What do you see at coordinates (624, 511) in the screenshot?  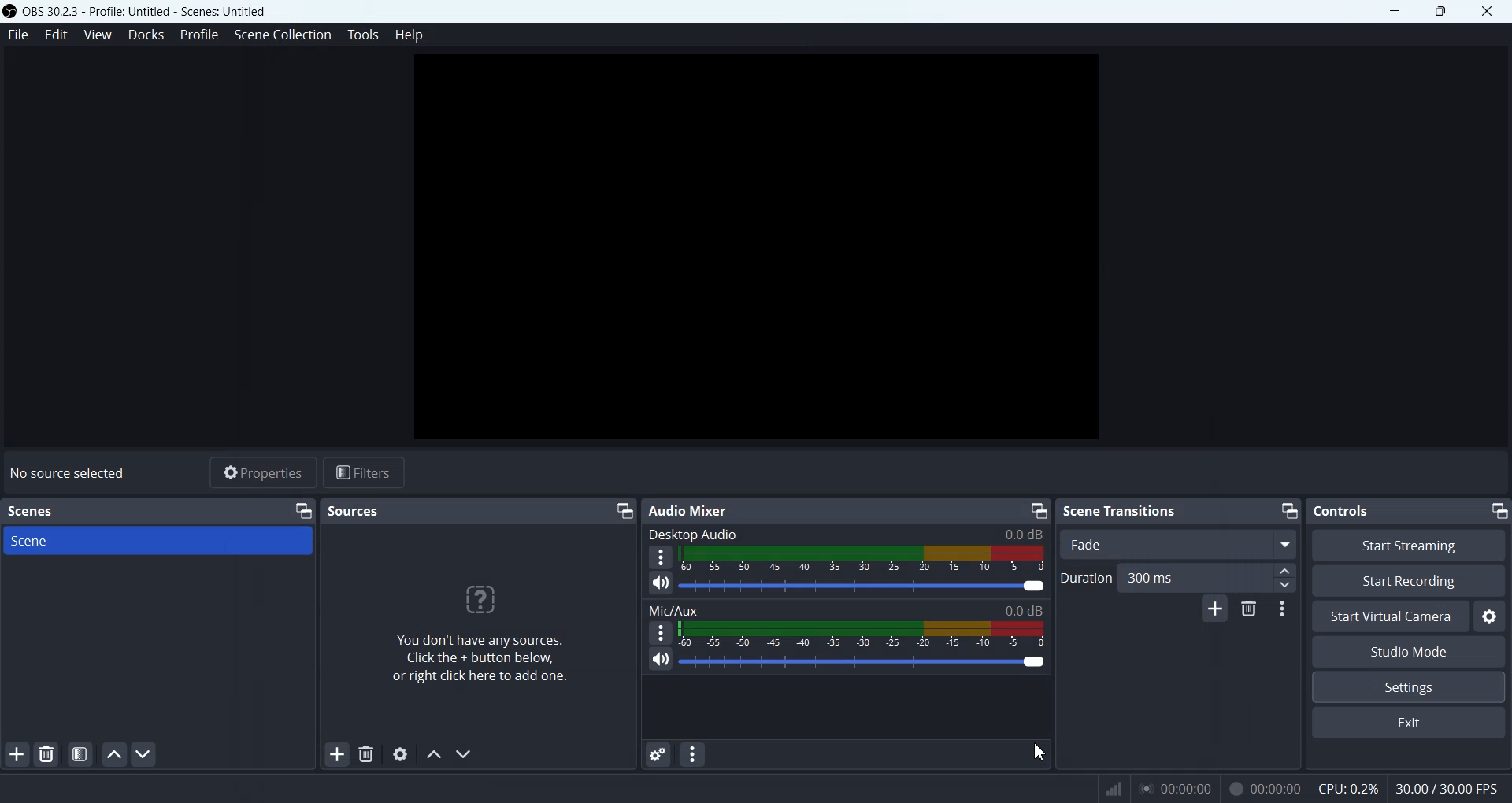 I see `Minimize` at bounding box center [624, 511].